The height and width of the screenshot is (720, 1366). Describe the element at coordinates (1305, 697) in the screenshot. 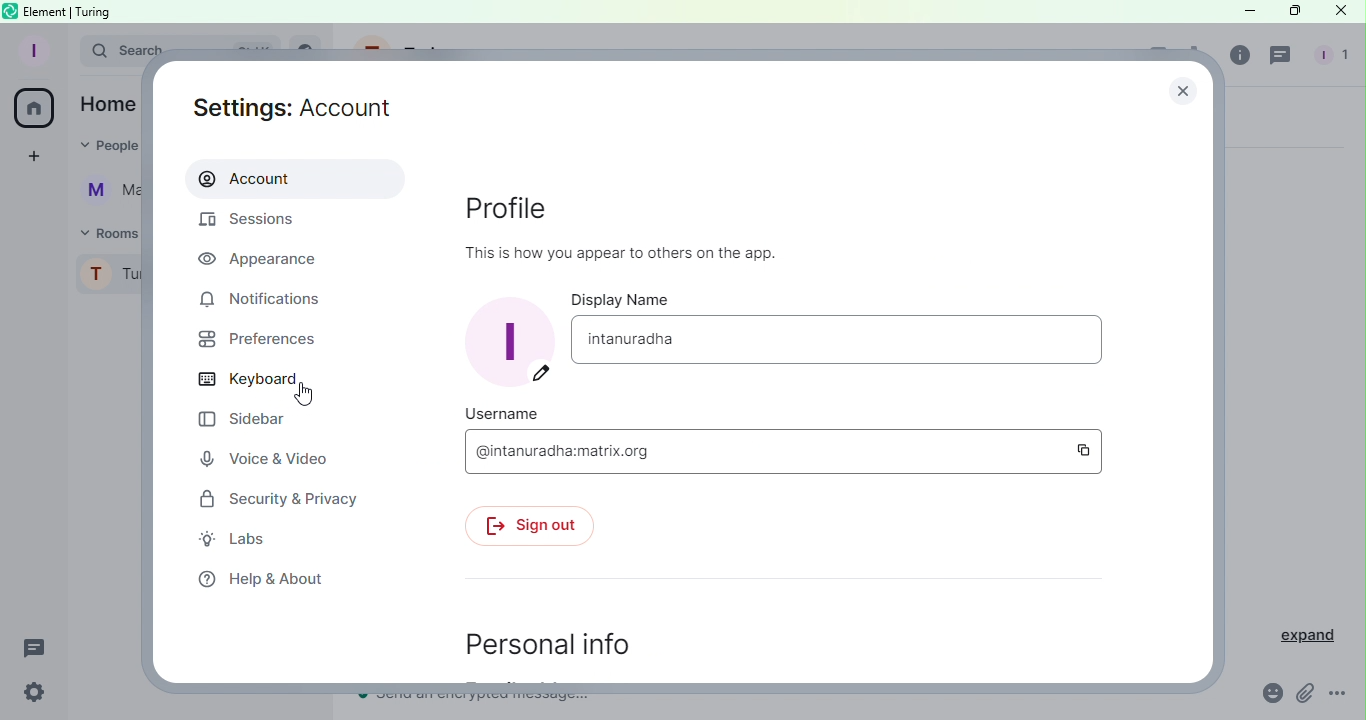

I see `Attachment` at that location.